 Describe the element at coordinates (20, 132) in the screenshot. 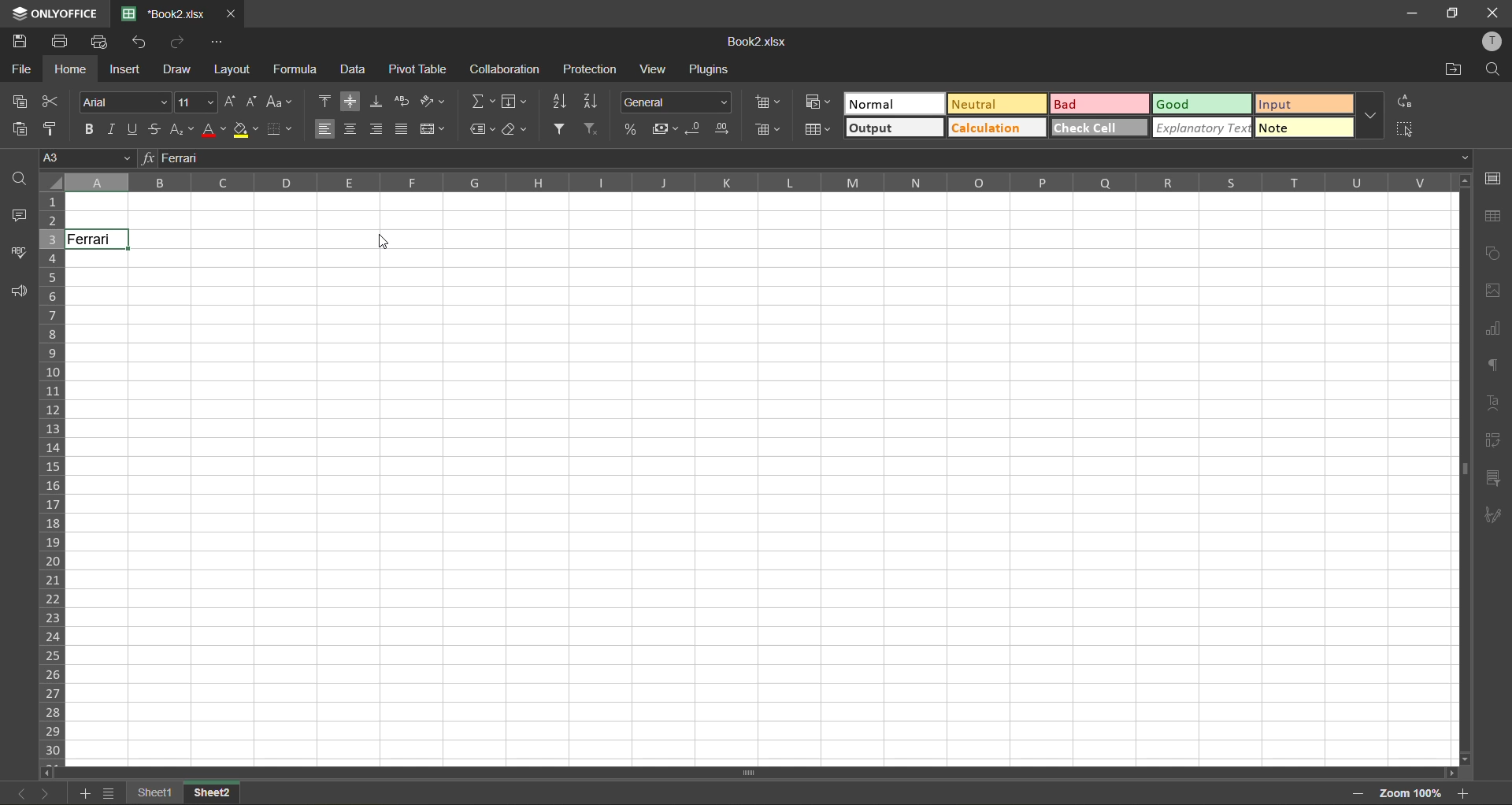

I see `paste` at that location.